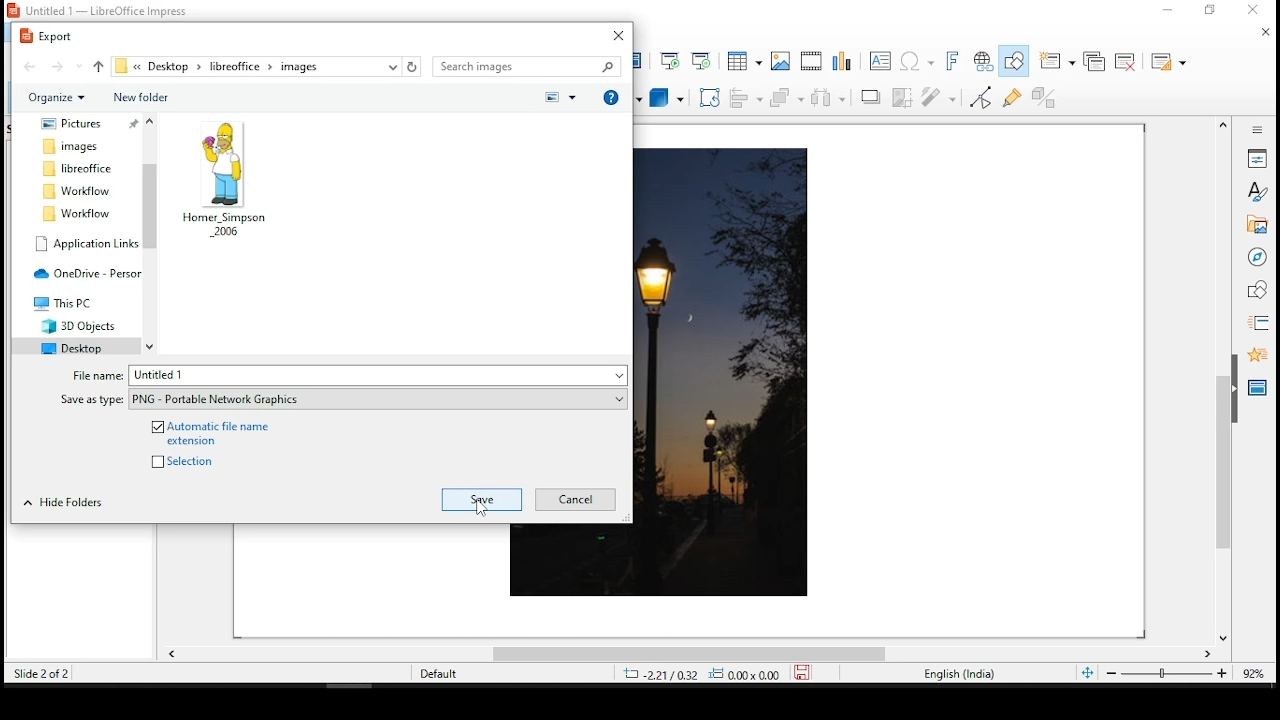 This screenshot has width=1280, height=720. I want to click on filter, so click(937, 98).